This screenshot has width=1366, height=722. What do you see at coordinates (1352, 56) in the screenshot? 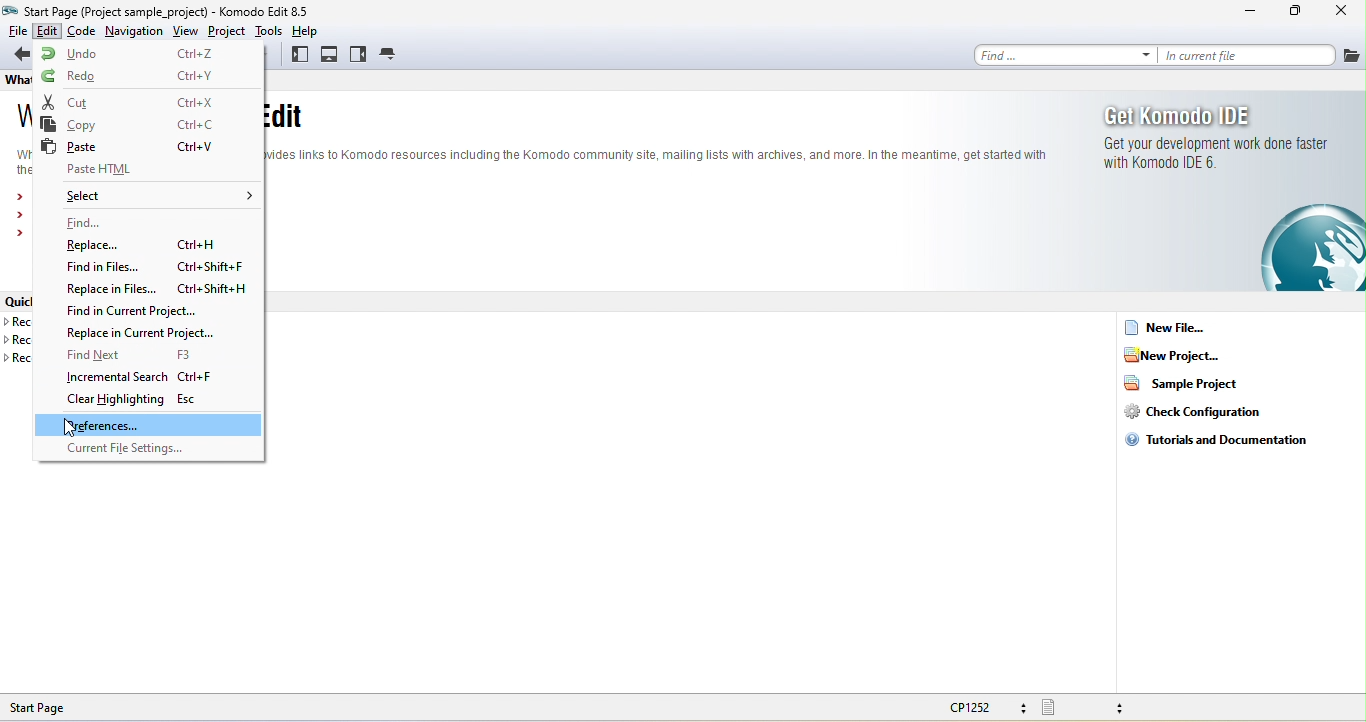
I see `files` at bounding box center [1352, 56].